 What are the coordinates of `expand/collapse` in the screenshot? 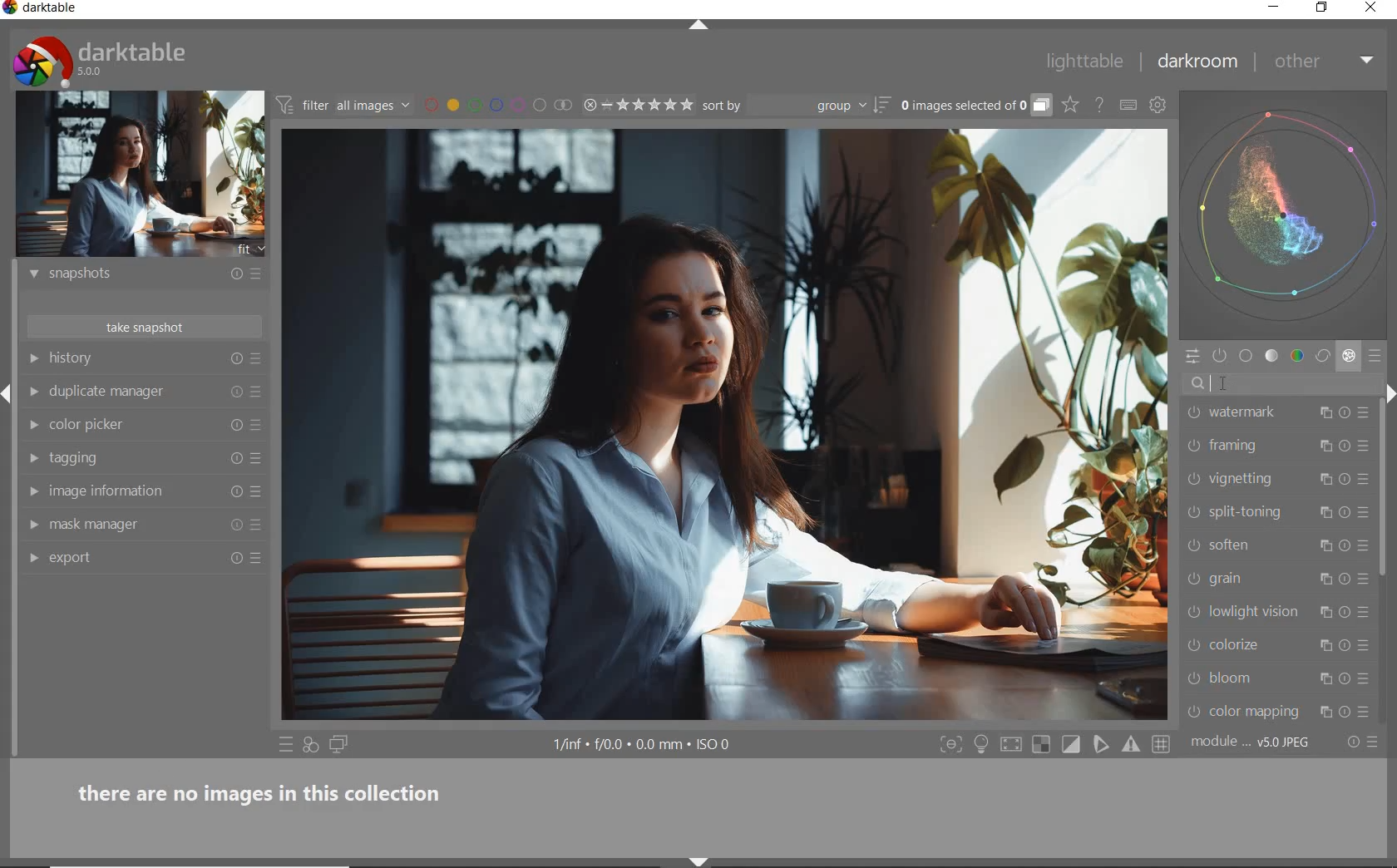 It's located at (706, 26).